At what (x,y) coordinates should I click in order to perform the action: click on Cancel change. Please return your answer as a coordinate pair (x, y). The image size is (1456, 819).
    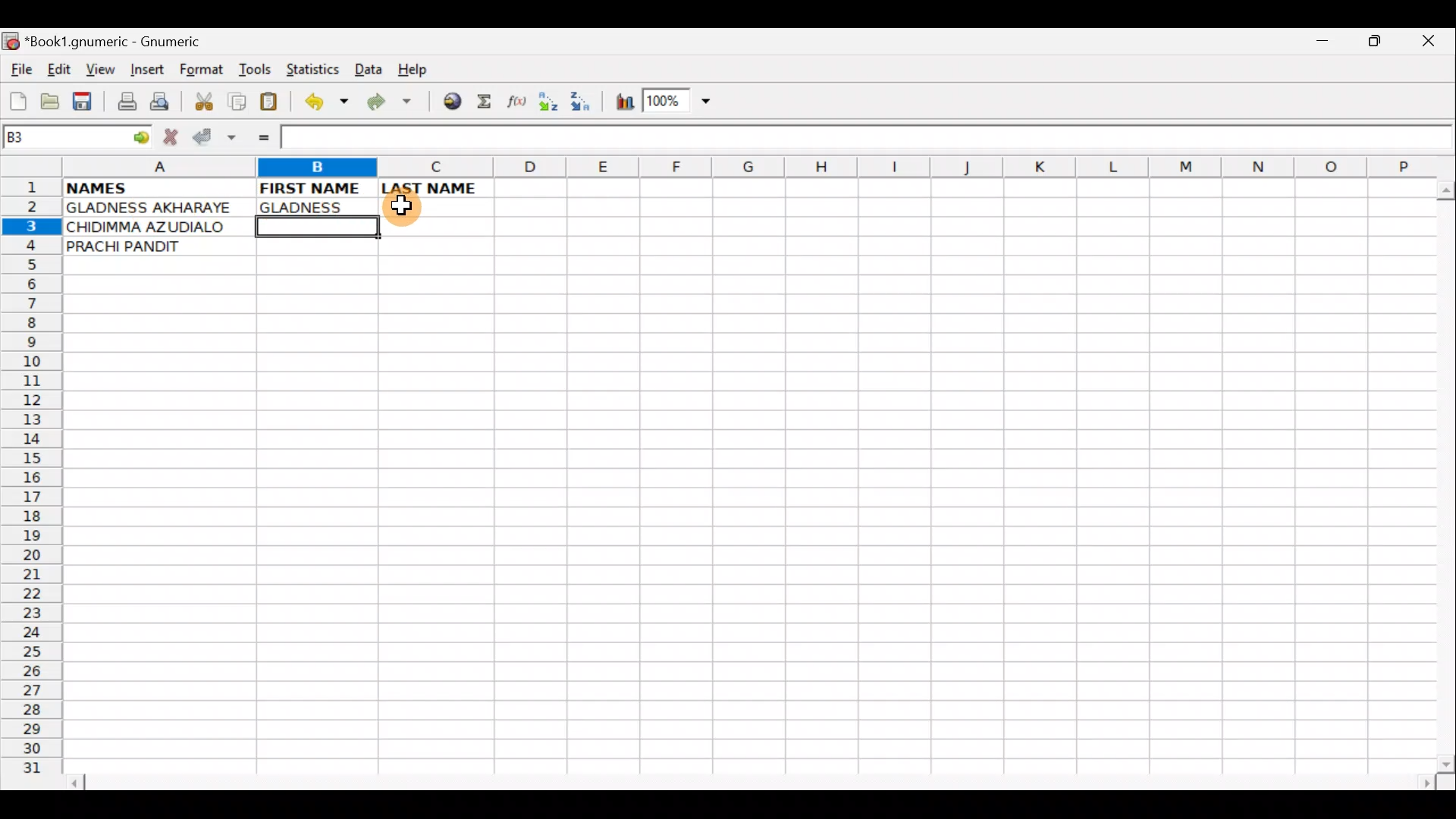
    Looking at the image, I should click on (174, 134).